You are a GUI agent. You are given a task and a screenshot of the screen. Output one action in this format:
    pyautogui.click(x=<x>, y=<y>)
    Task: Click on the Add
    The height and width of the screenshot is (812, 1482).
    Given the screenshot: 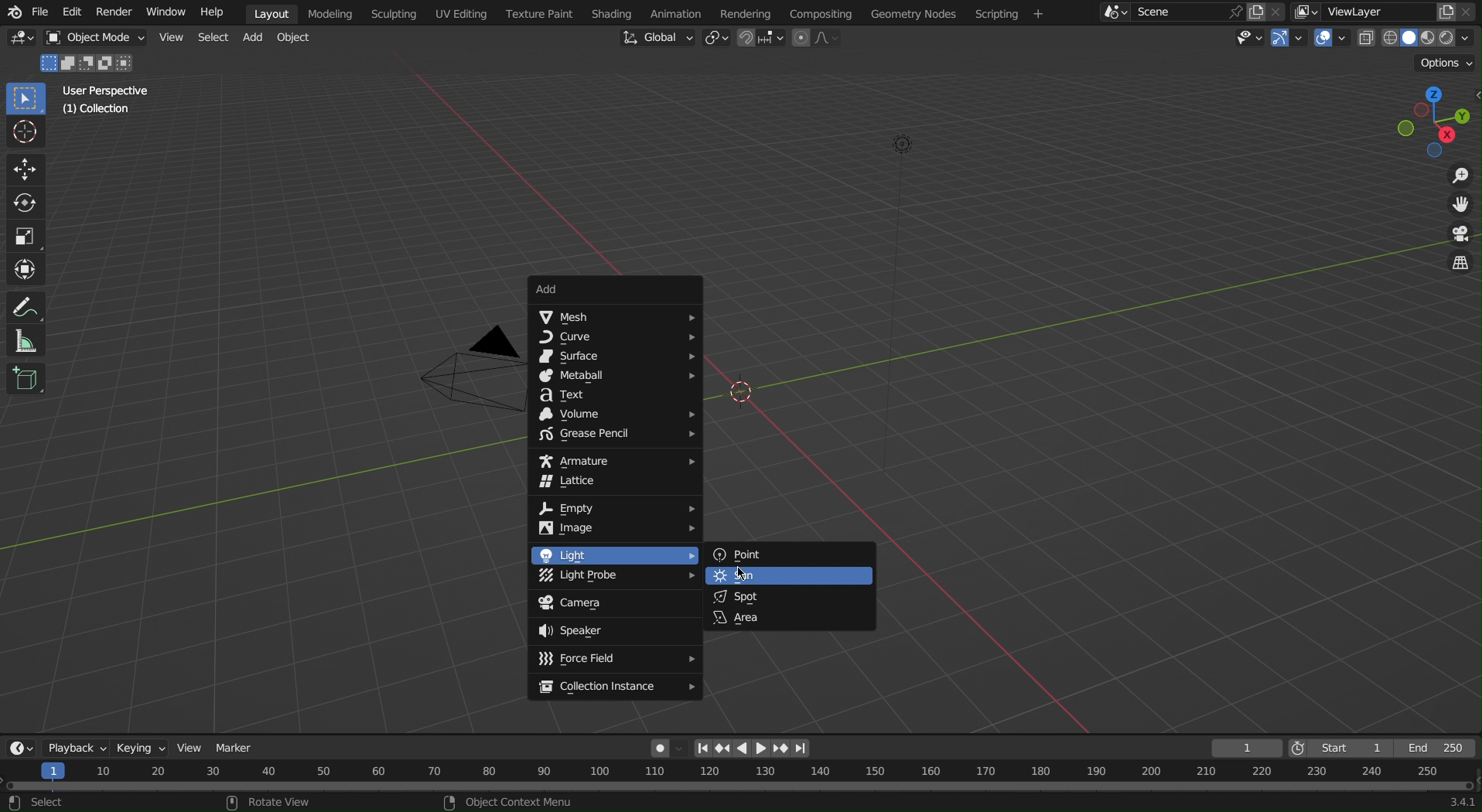 What is the action you would take?
    pyautogui.click(x=616, y=289)
    